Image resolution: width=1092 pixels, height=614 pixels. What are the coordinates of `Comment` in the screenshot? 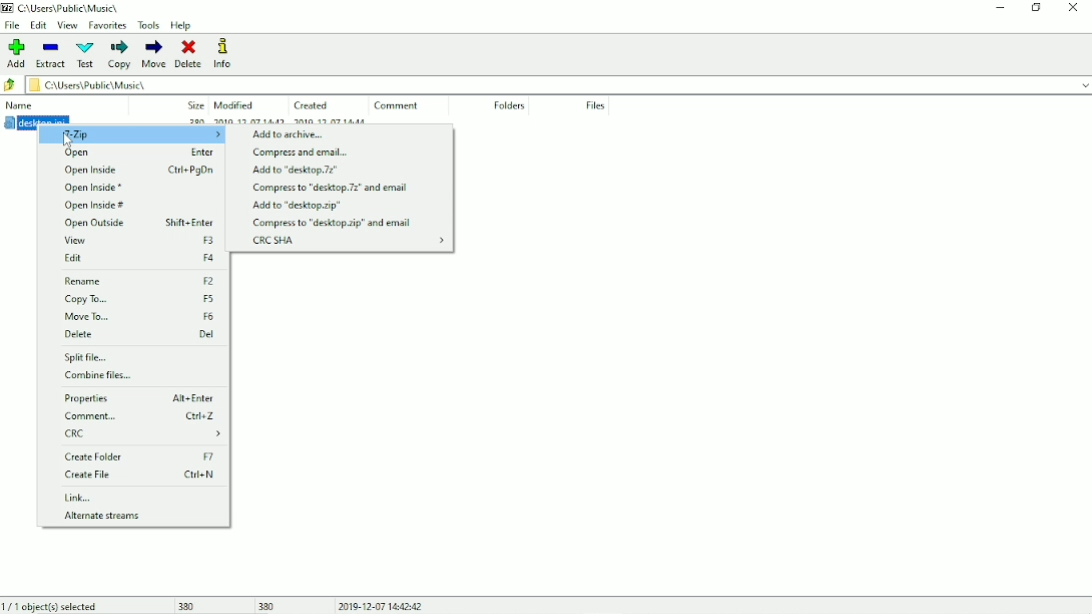 It's located at (140, 416).